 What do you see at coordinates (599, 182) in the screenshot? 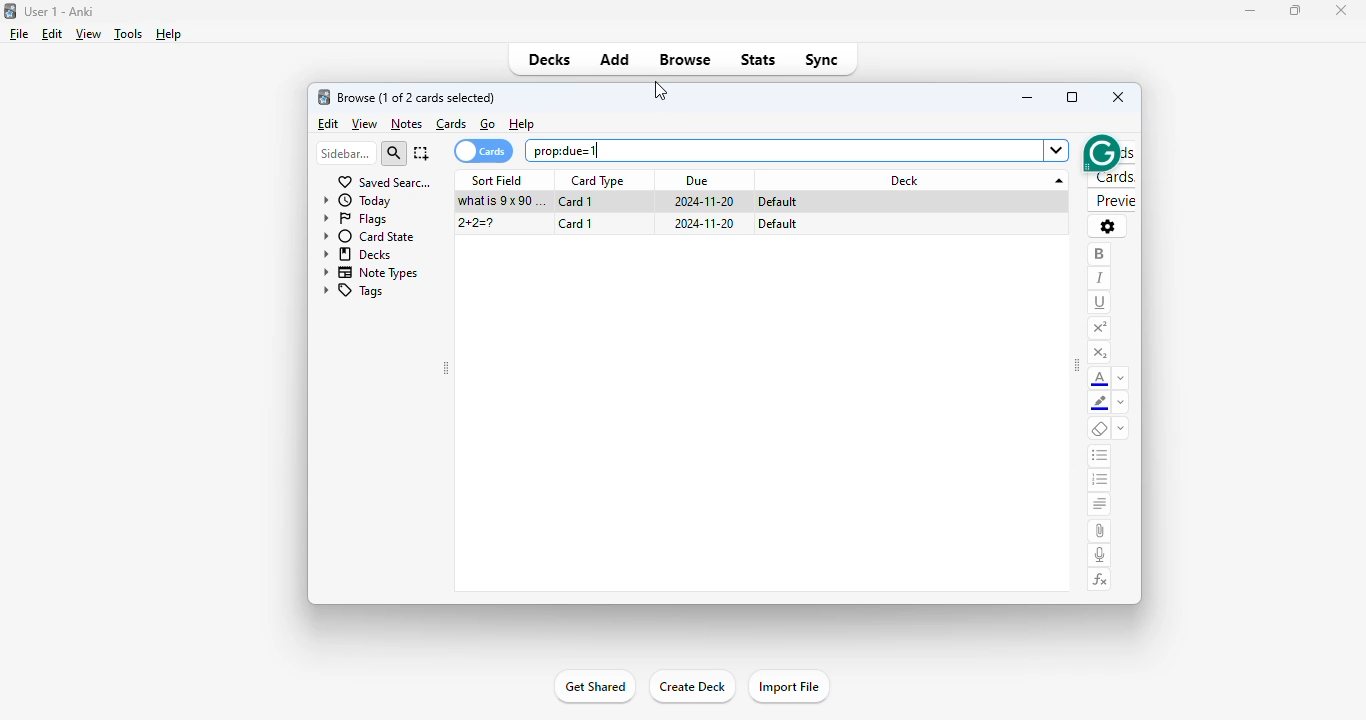
I see `card type` at bounding box center [599, 182].